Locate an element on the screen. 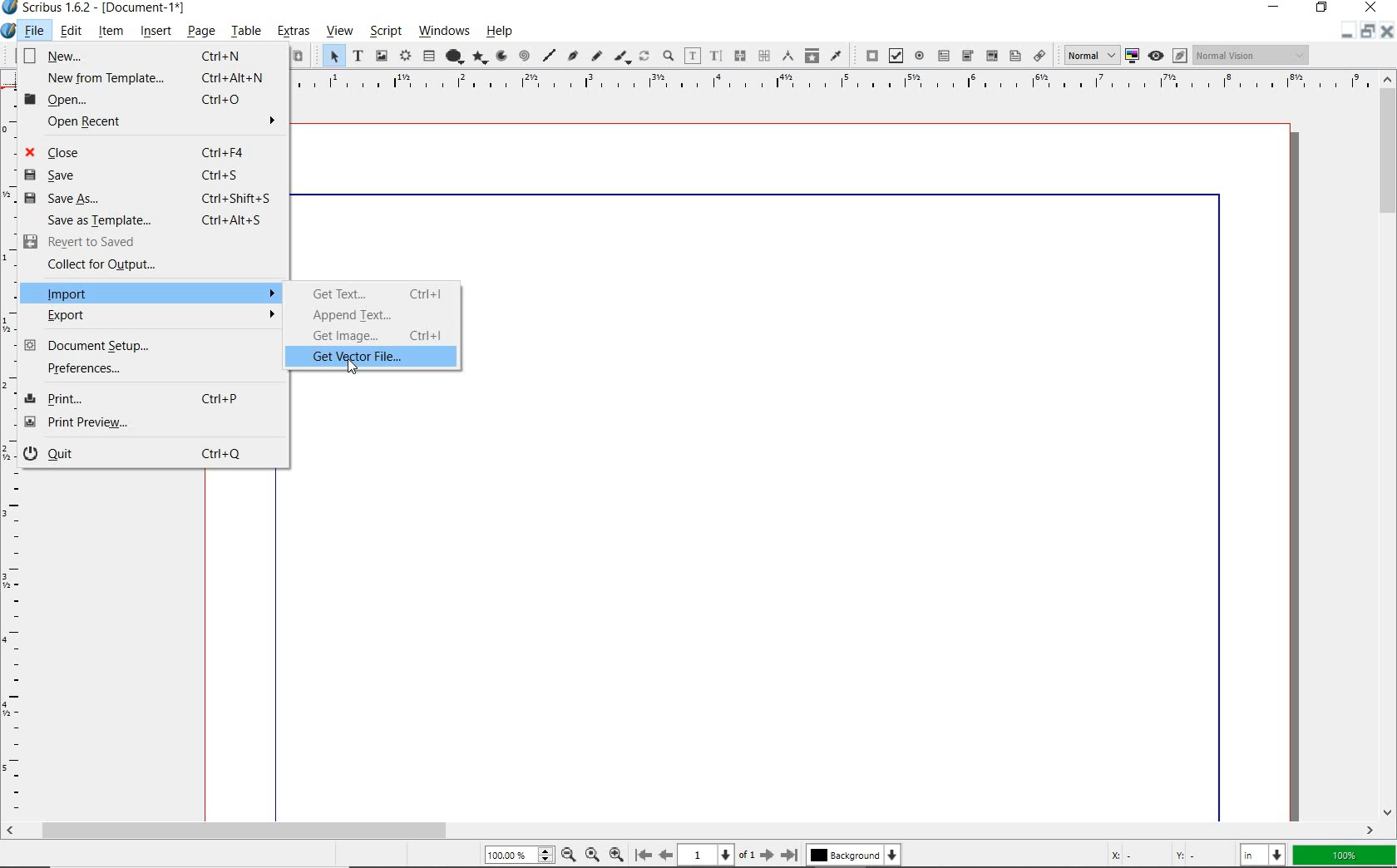  toggle color is located at coordinates (1133, 55).